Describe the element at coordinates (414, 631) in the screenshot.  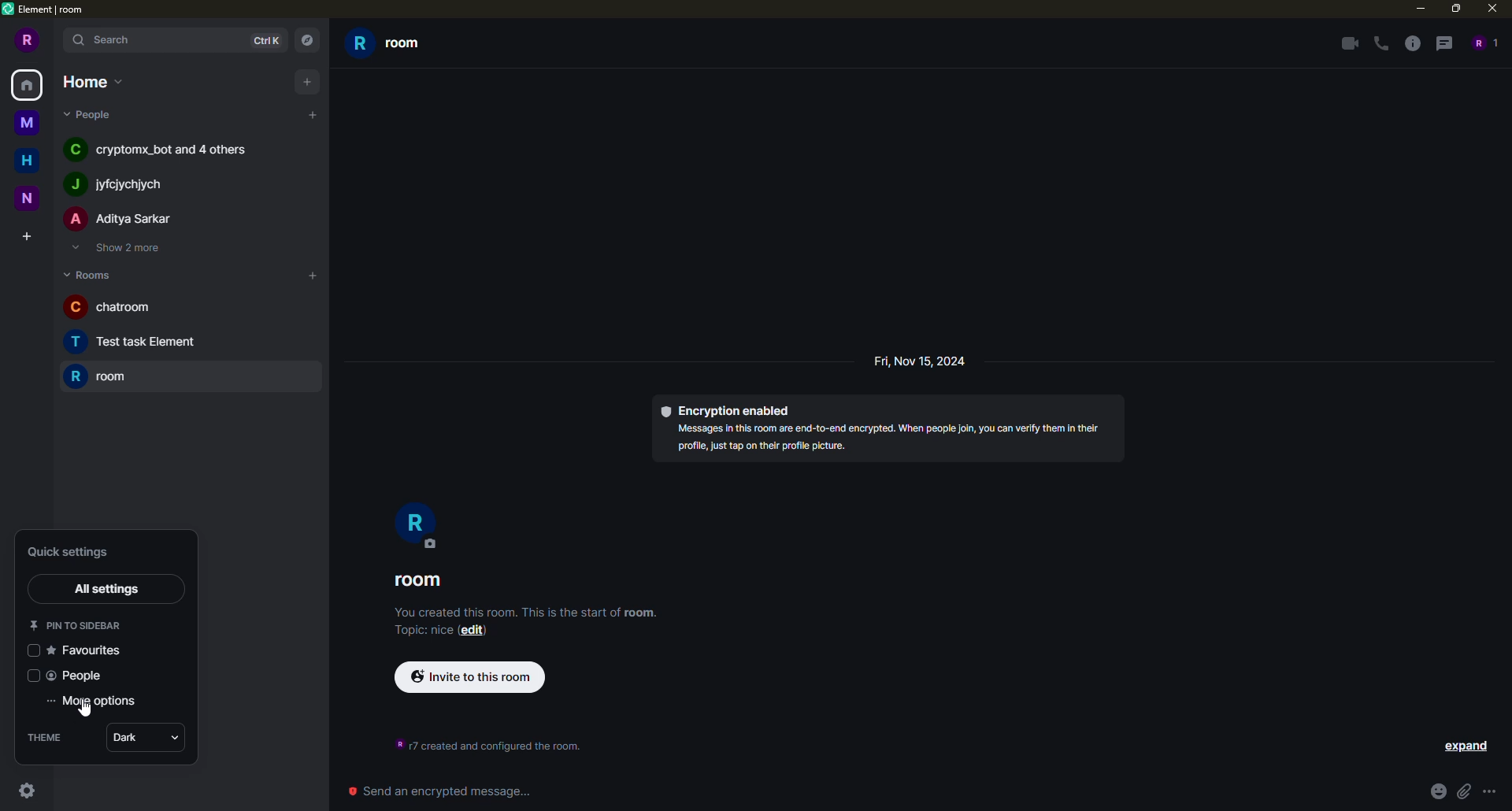
I see `topic` at that location.